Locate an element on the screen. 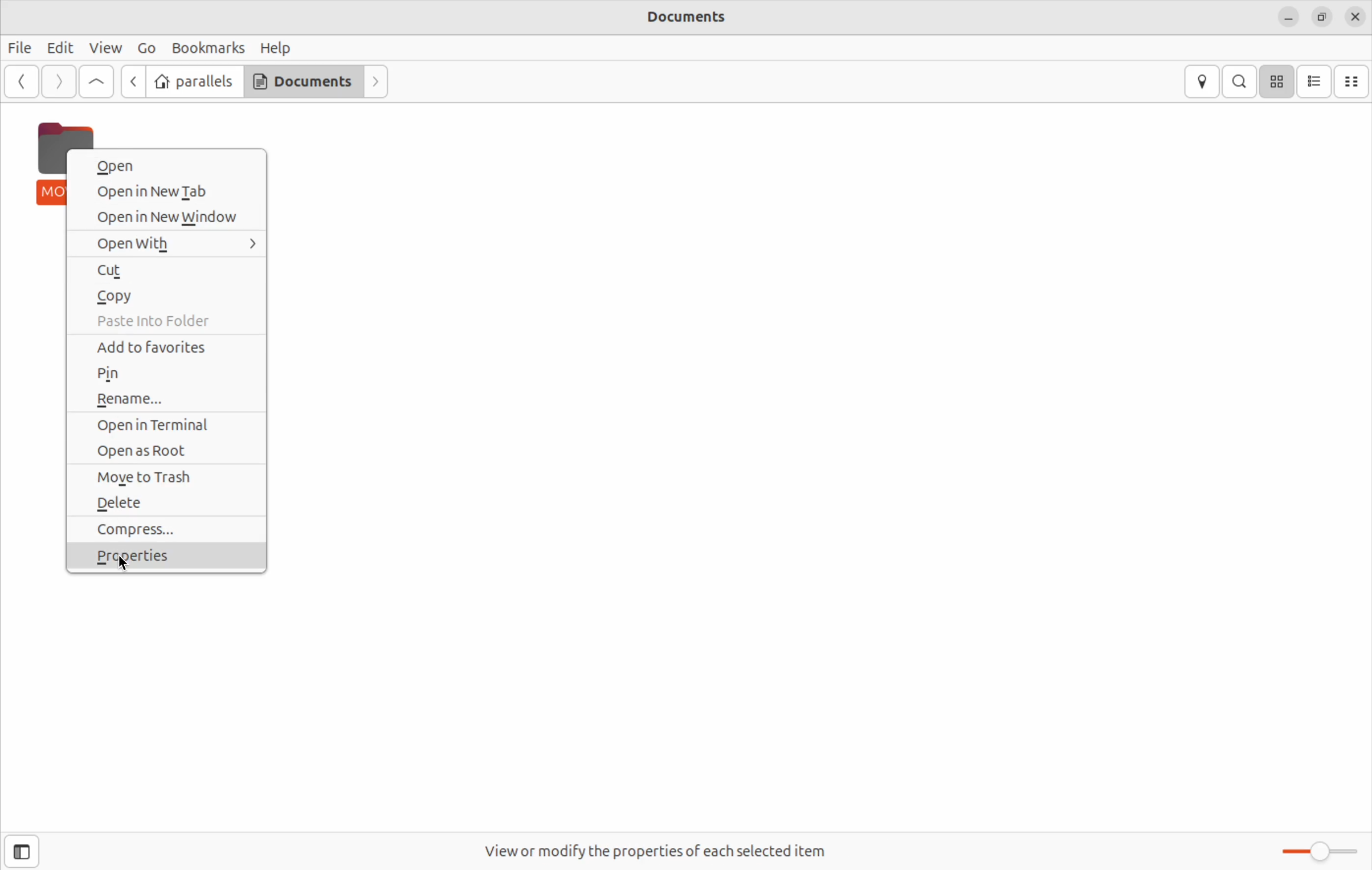 The image size is (1372, 870). copy is located at coordinates (169, 295).